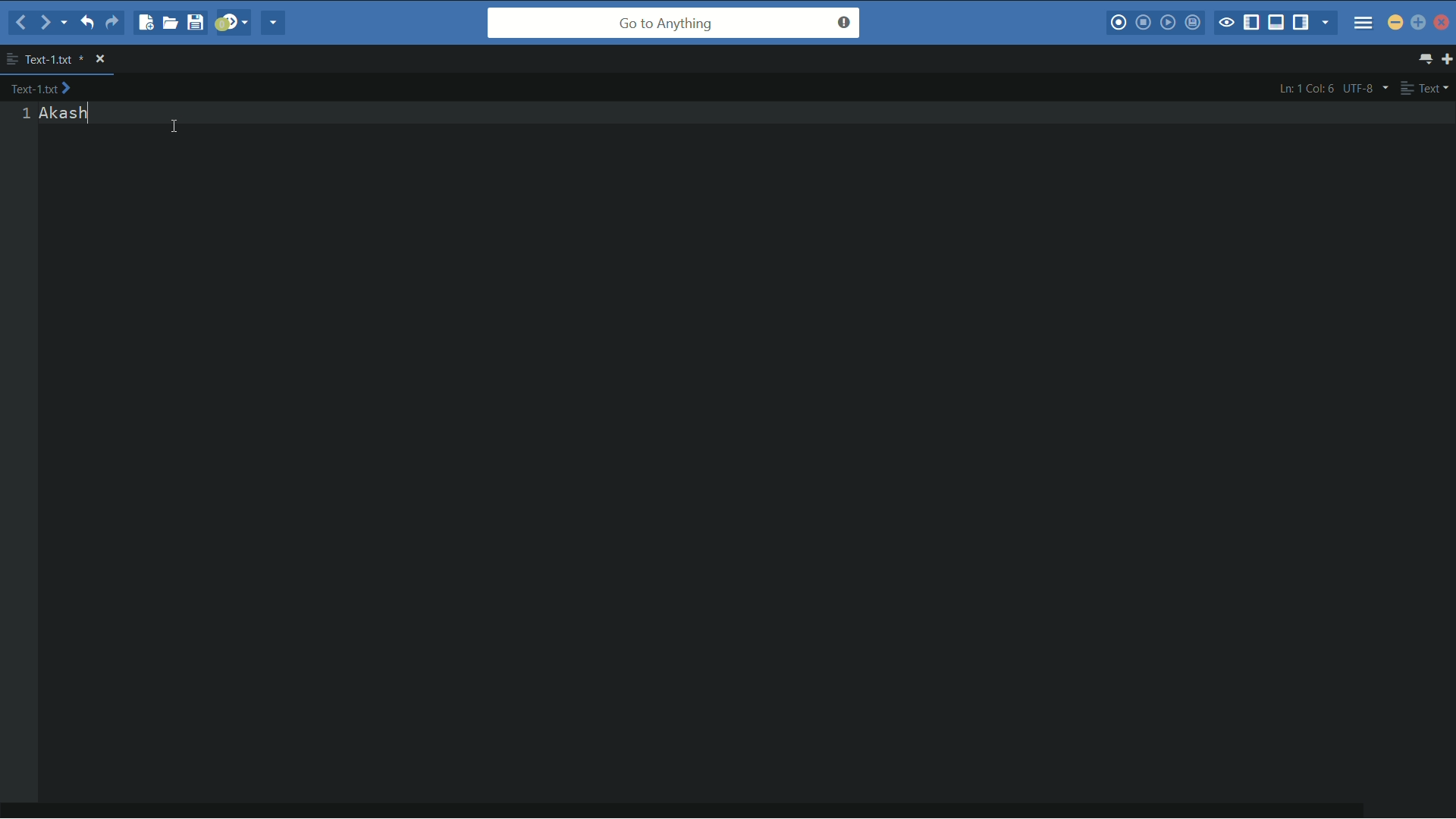 The width and height of the screenshot is (1456, 819). What do you see at coordinates (1426, 87) in the screenshot?
I see `file type` at bounding box center [1426, 87].